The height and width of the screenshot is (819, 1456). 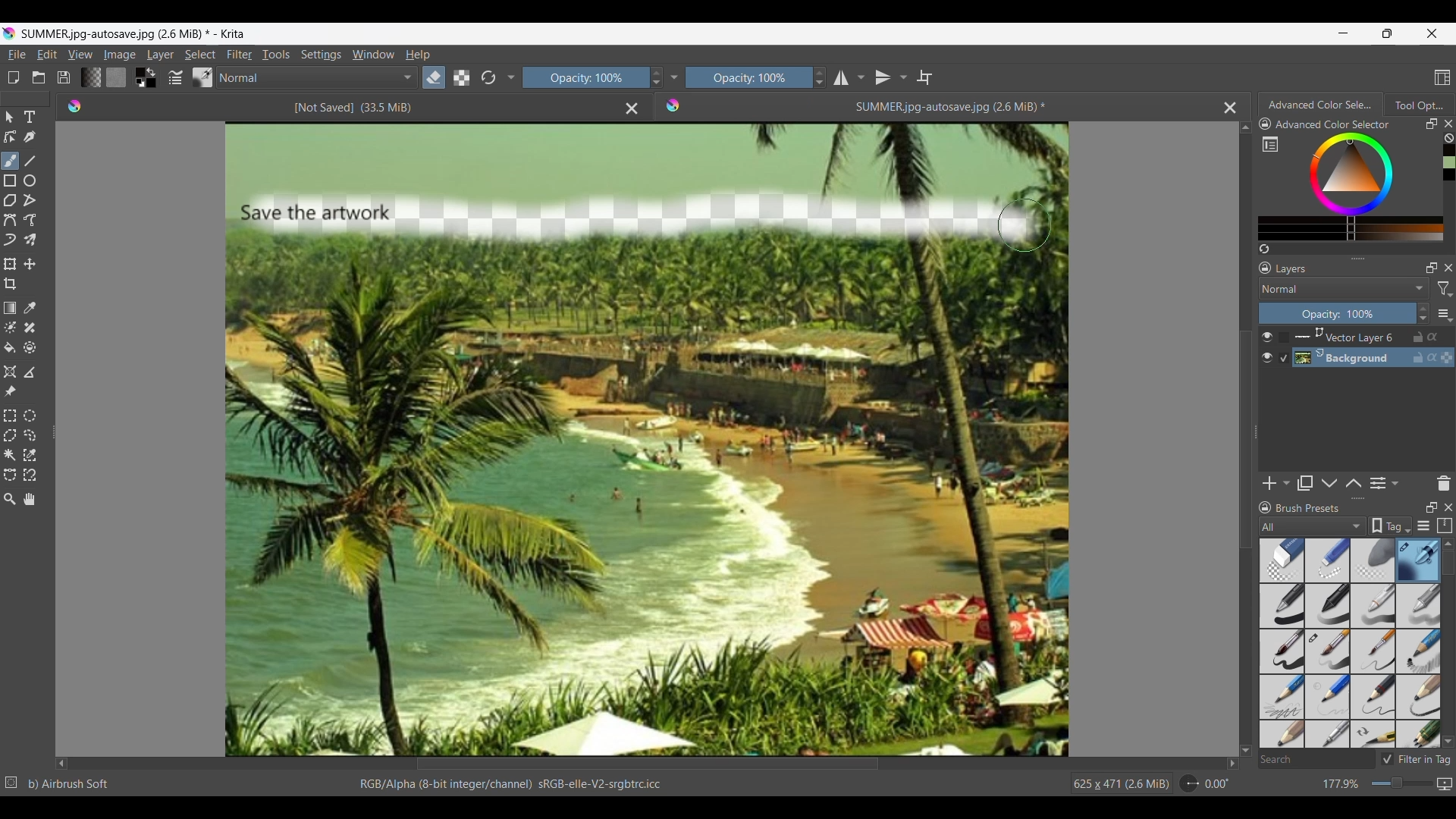 I want to click on 177.9%, so click(x=1342, y=784).